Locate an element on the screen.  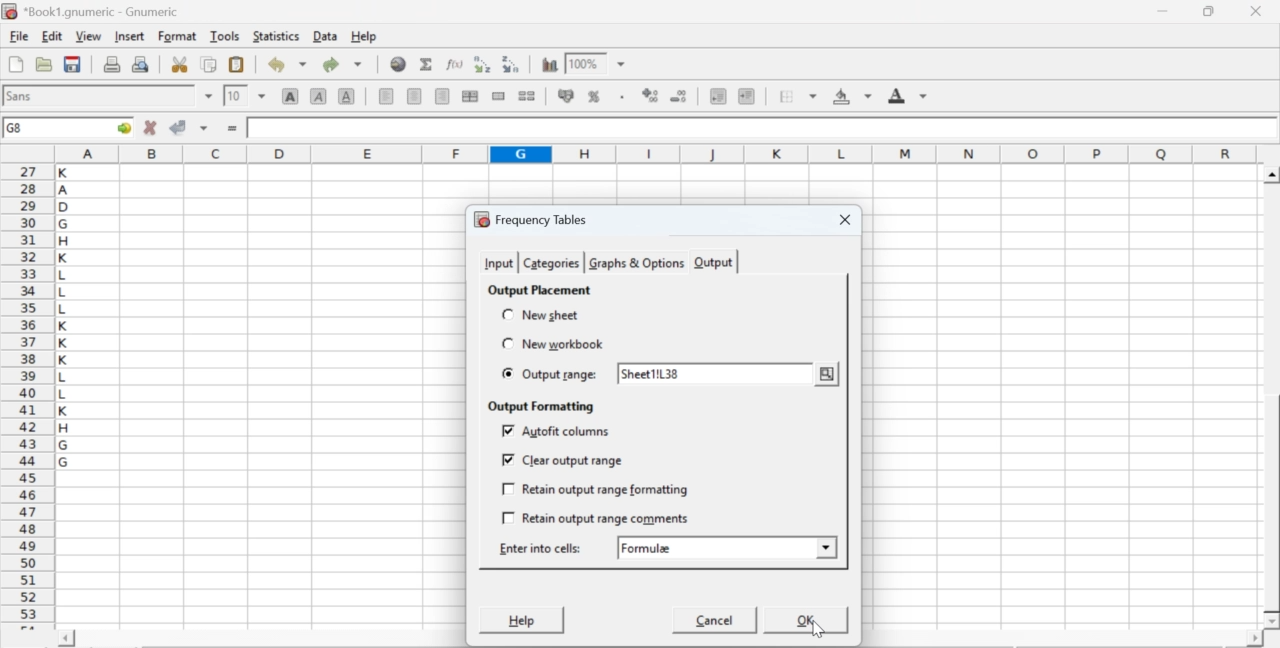
output placement is located at coordinates (538, 290).